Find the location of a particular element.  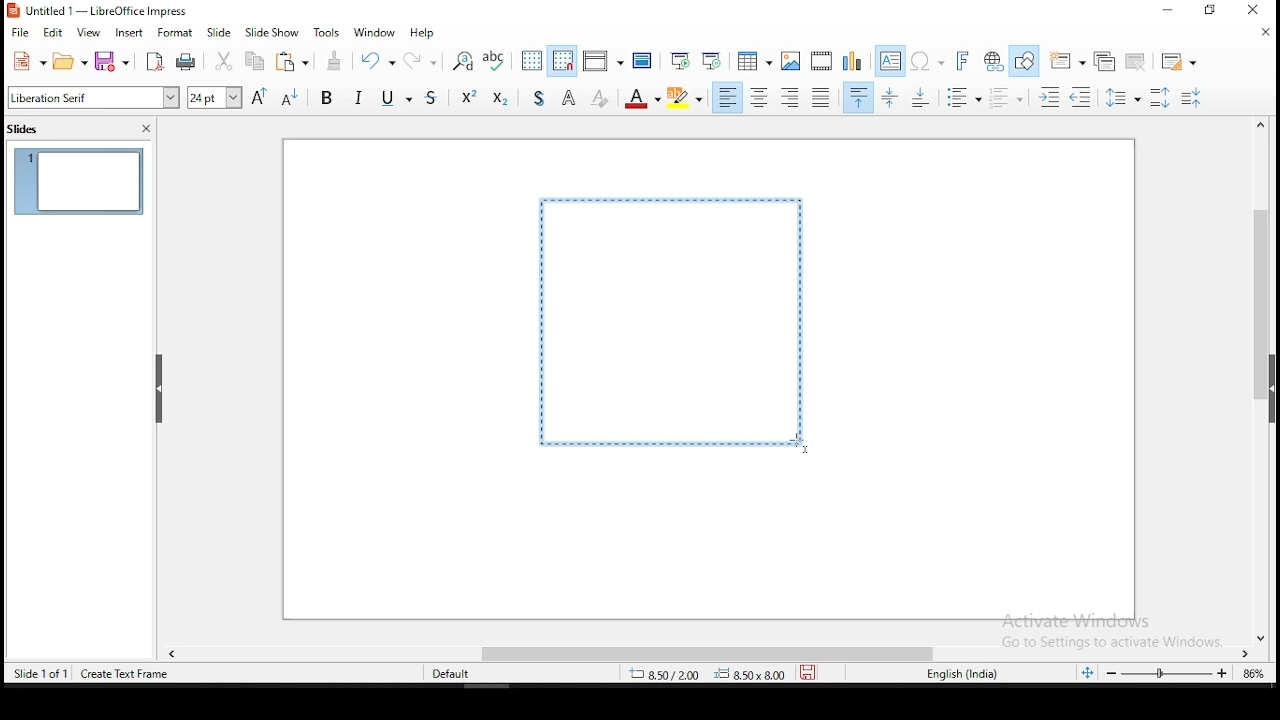

slide is located at coordinates (223, 32).